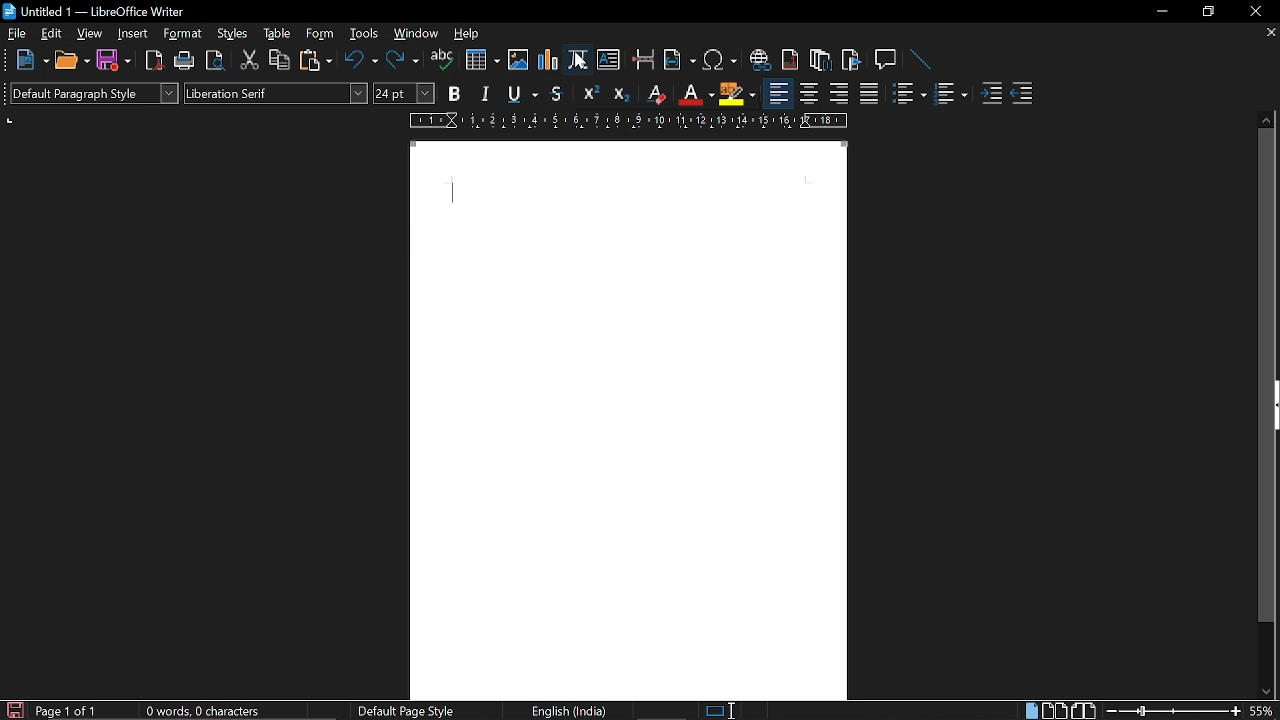  What do you see at coordinates (118, 10) in the screenshot?
I see `Untitled 1 - LibreOffice Writer` at bounding box center [118, 10].